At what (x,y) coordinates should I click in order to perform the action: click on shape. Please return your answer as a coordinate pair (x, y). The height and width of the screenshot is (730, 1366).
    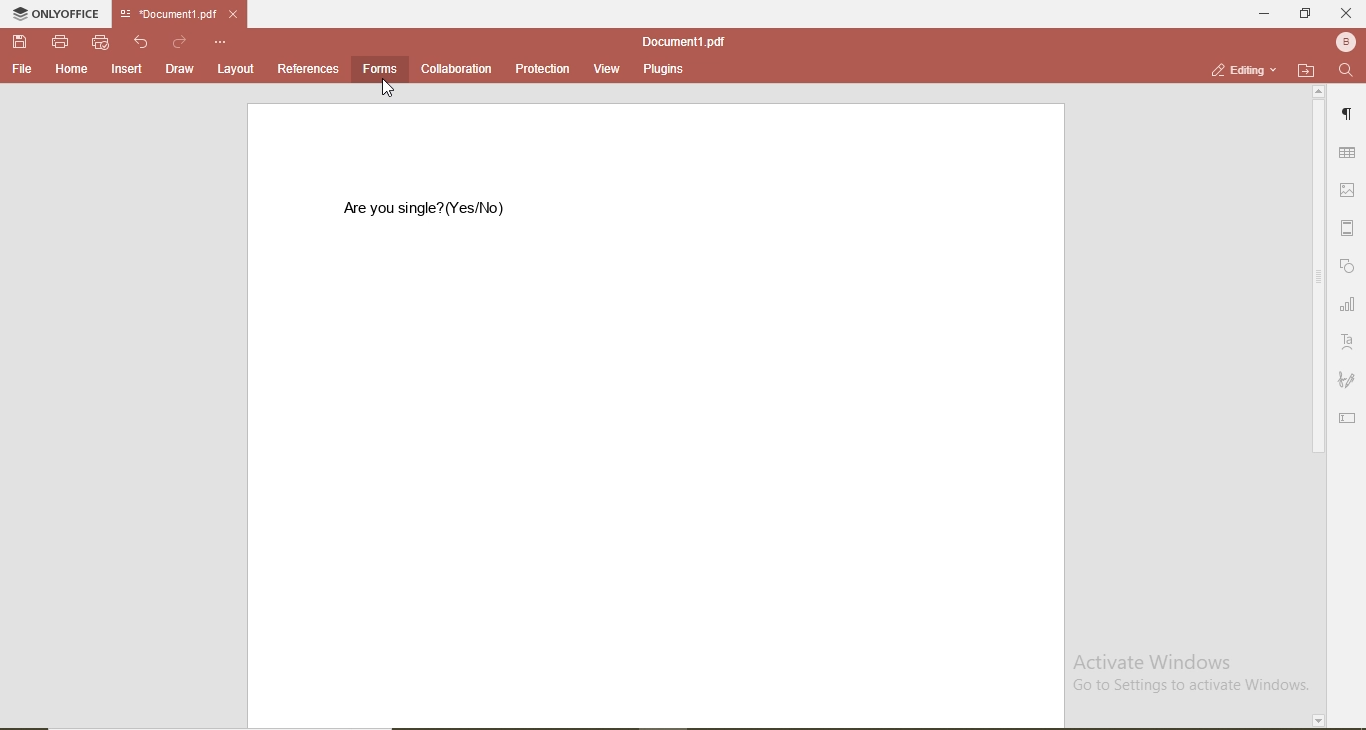
    Looking at the image, I should click on (1351, 269).